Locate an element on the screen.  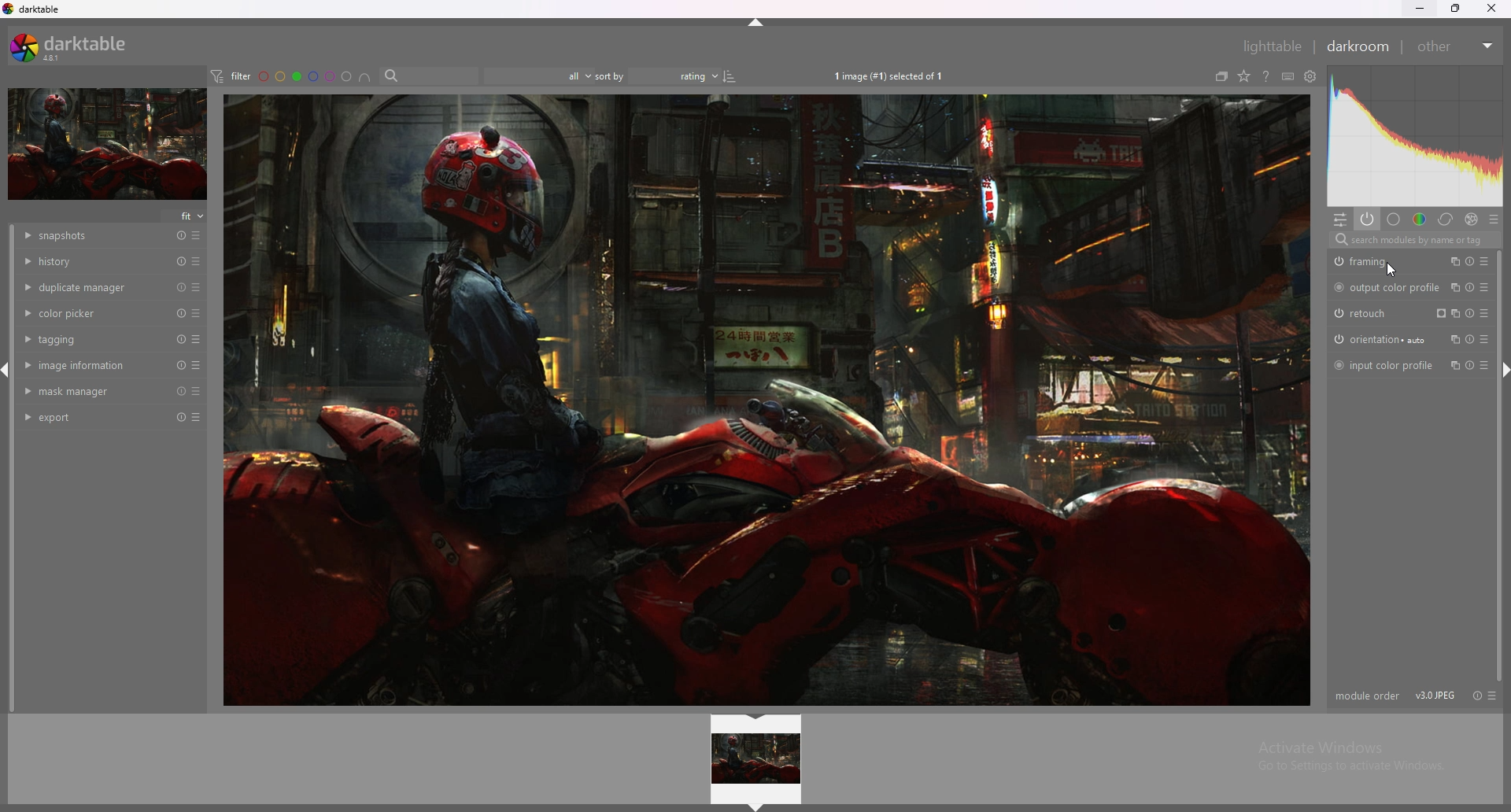
reset is located at coordinates (1470, 340).